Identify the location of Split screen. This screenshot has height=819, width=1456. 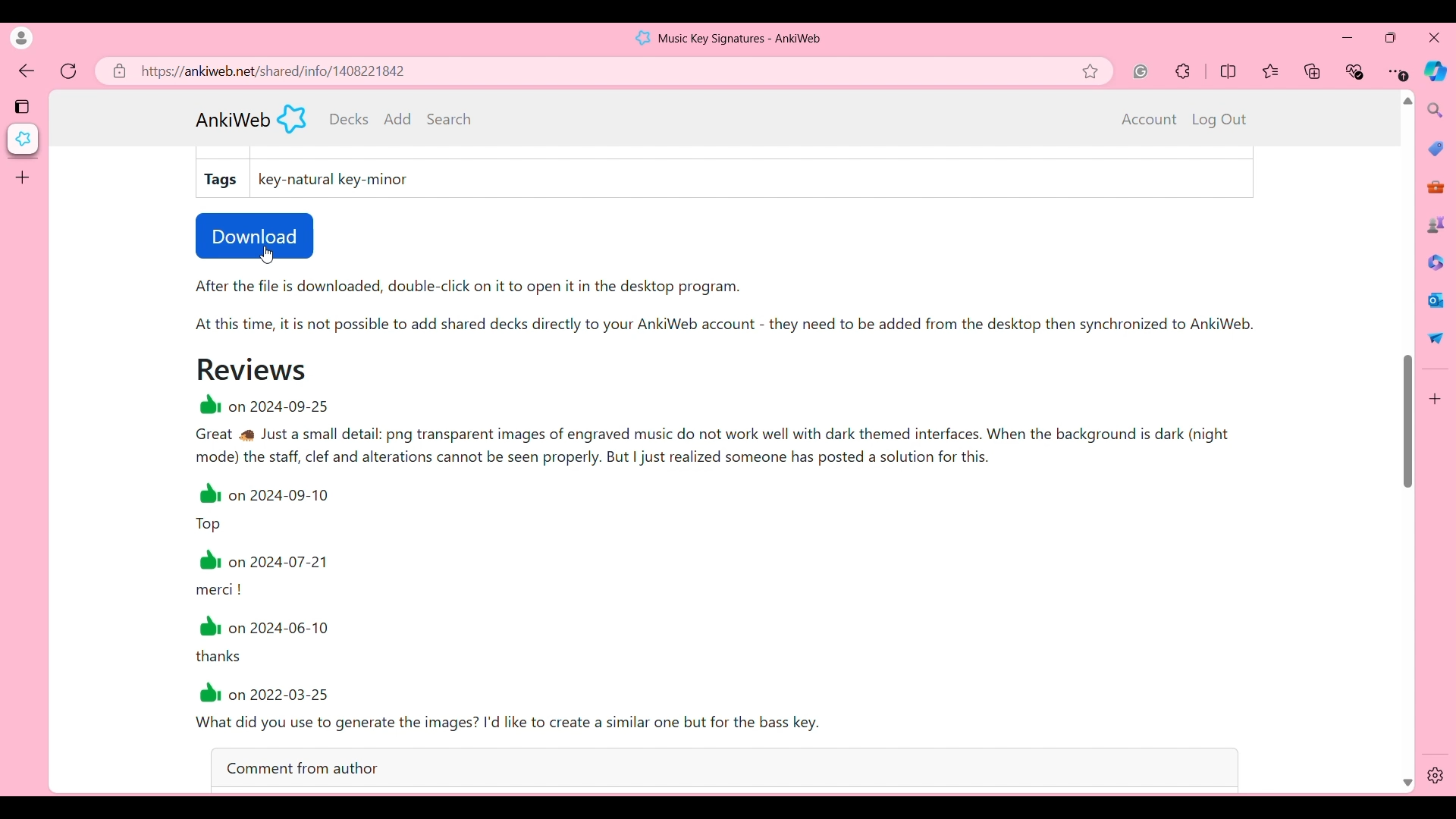
(1228, 71).